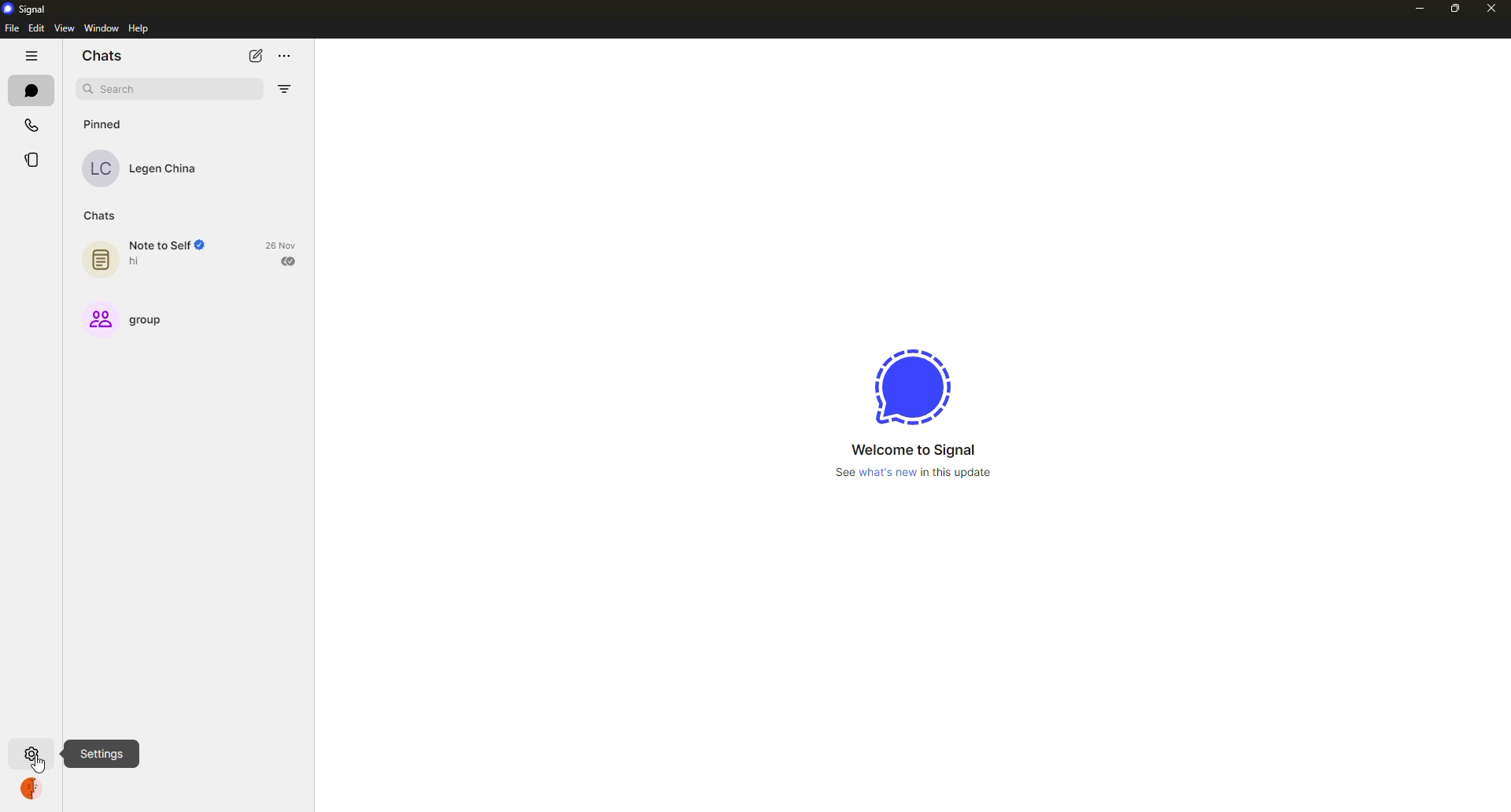 Image resolution: width=1511 pixels, height=812 pixels. Describe the element at coordinates (100, 319) in the screenshot. I see `Group Icon` at that location.